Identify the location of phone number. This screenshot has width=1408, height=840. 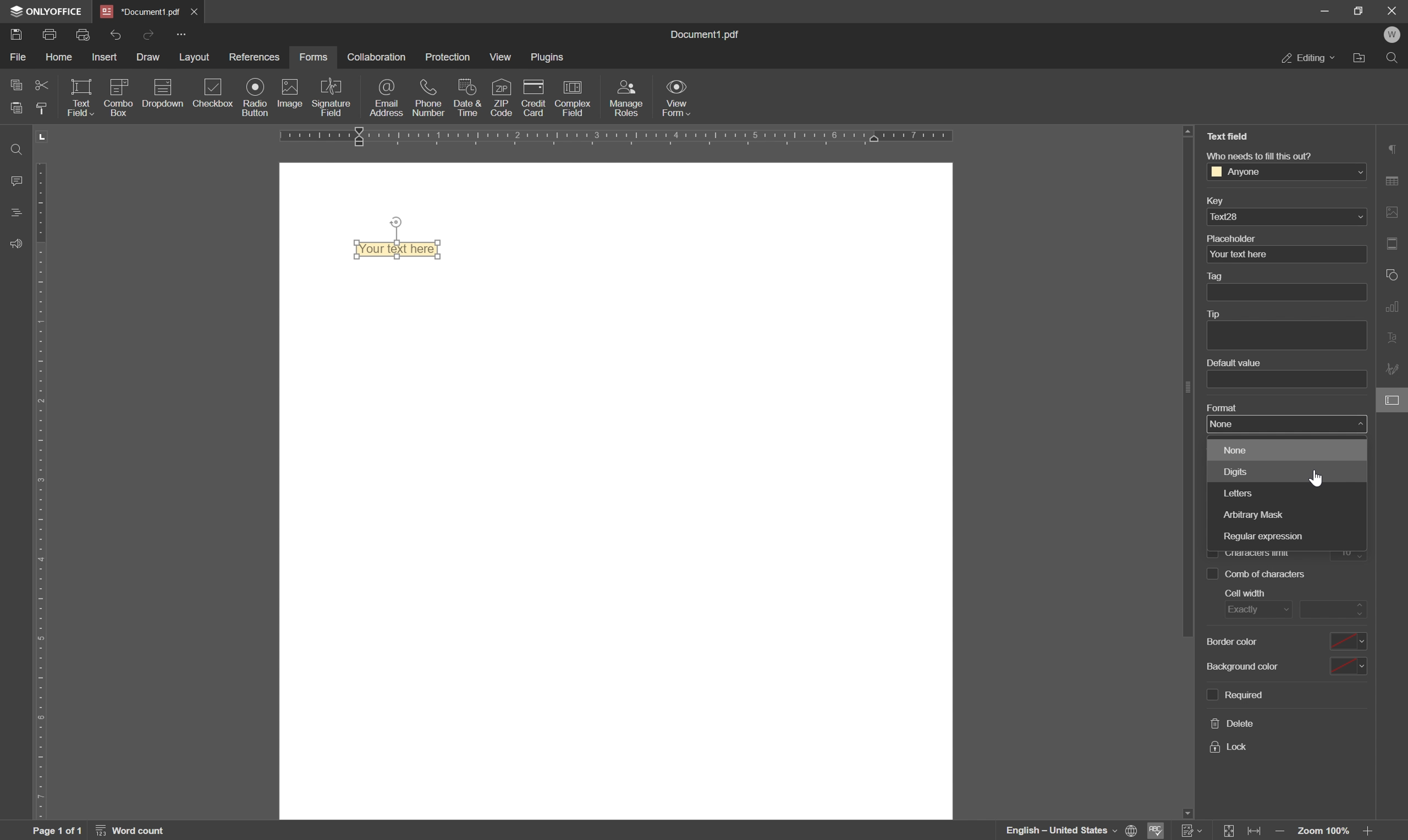
(427, 99).